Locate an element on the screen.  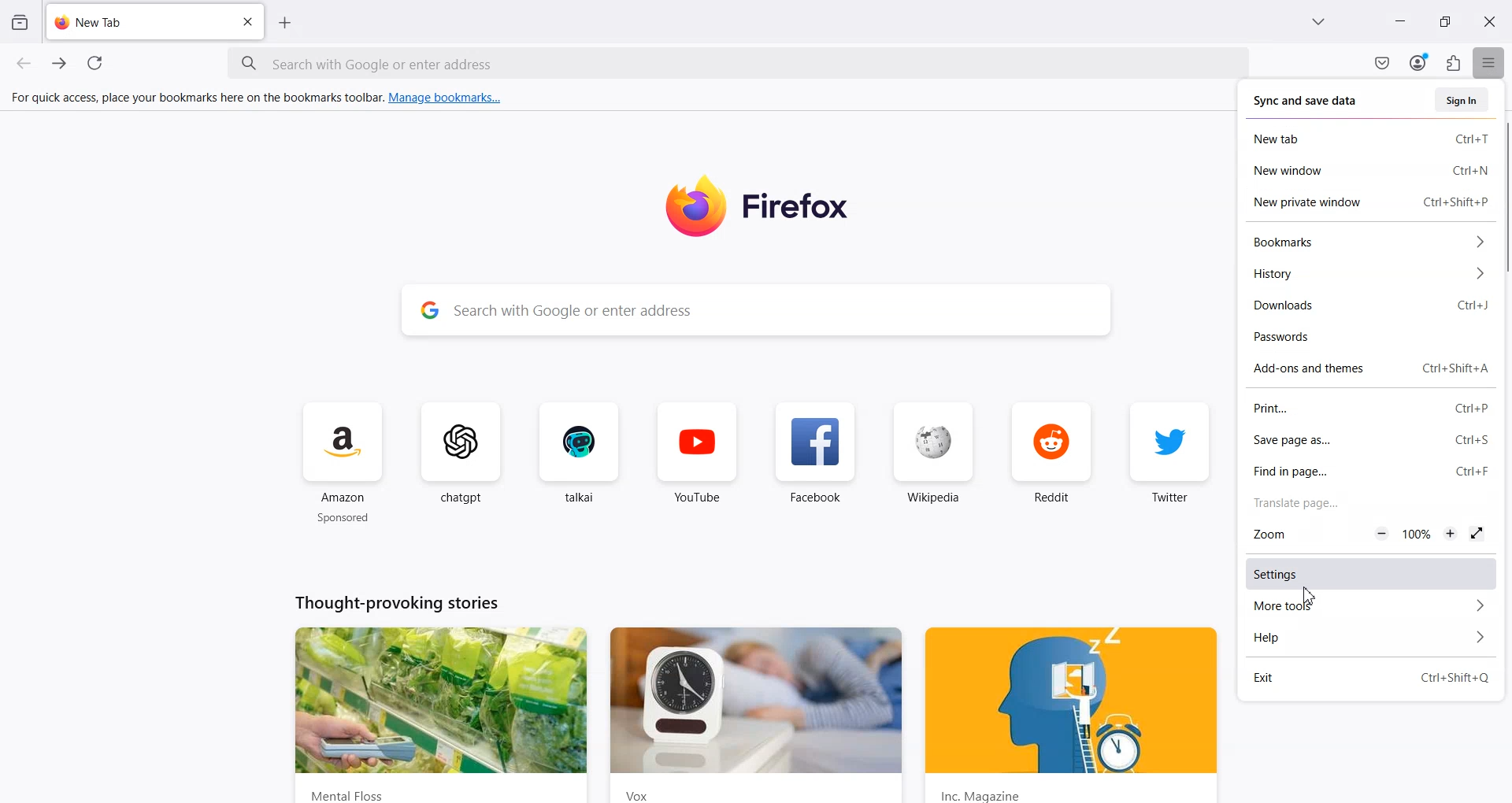
‘Add-ons and themes Ctrl+Shift+A is located at coordinates (1373, 367).